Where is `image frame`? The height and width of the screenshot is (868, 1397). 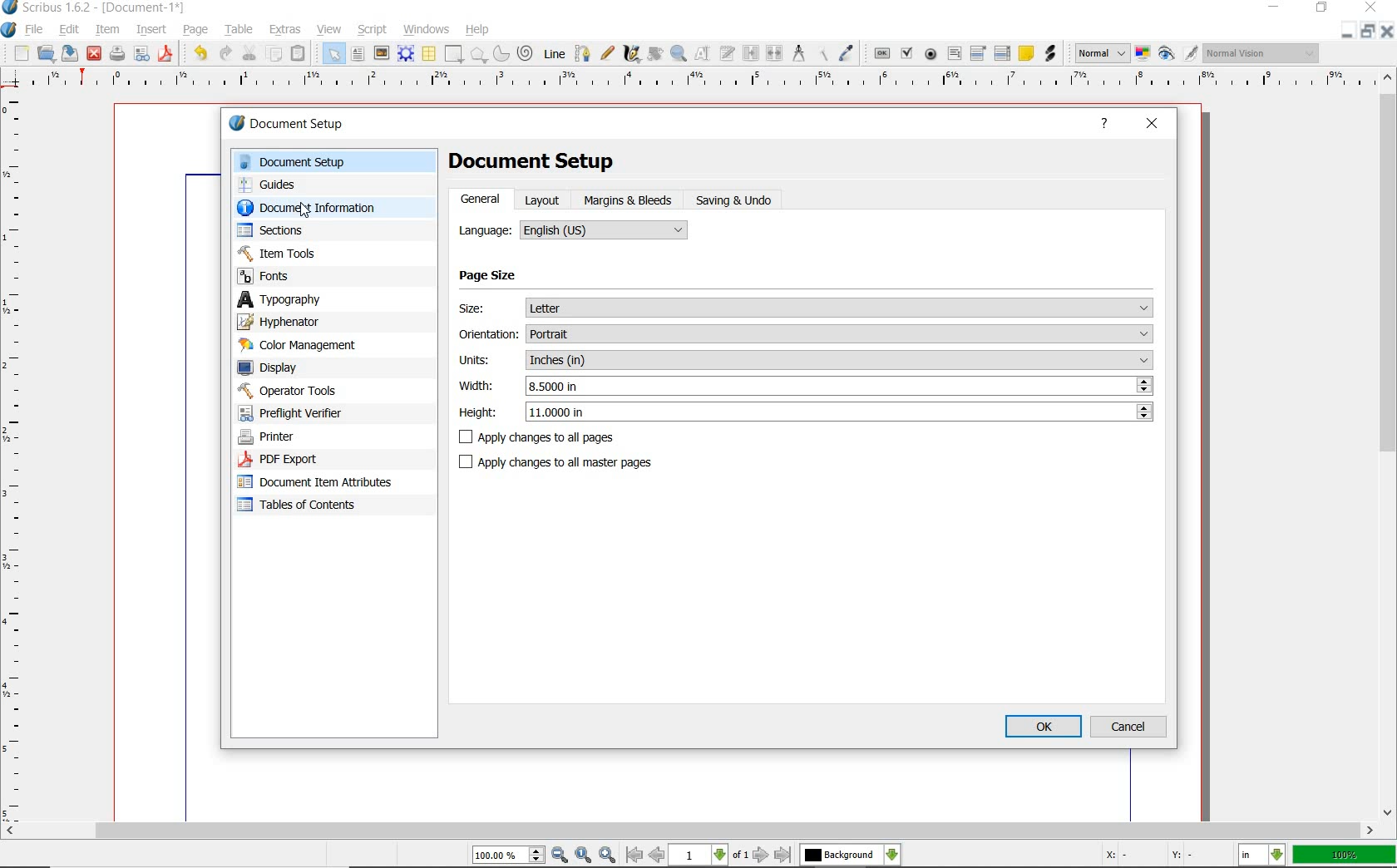 image frame is located at coordinates (382, 52).